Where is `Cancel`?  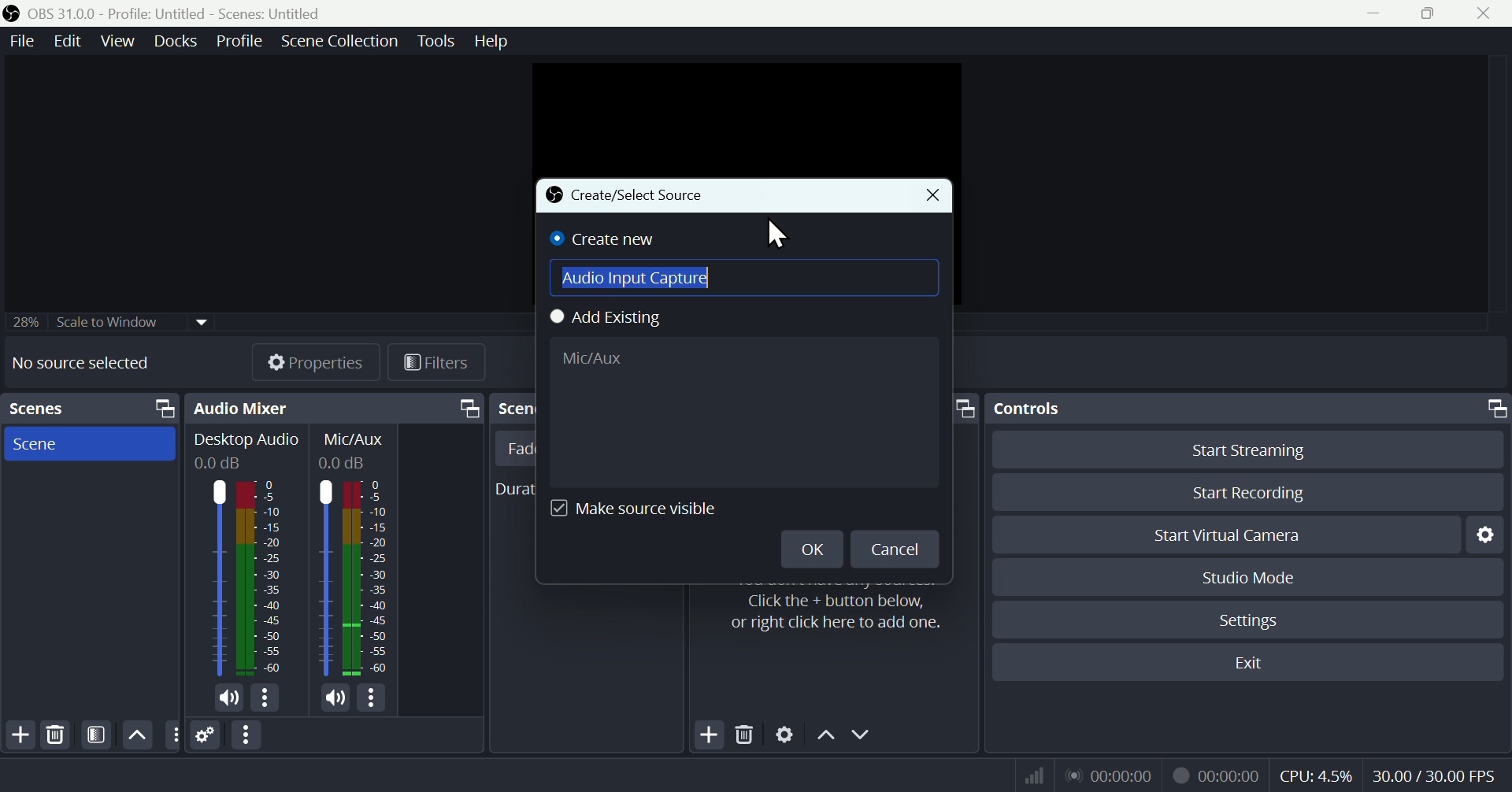 Cancel is located at coordinates (895, 548).